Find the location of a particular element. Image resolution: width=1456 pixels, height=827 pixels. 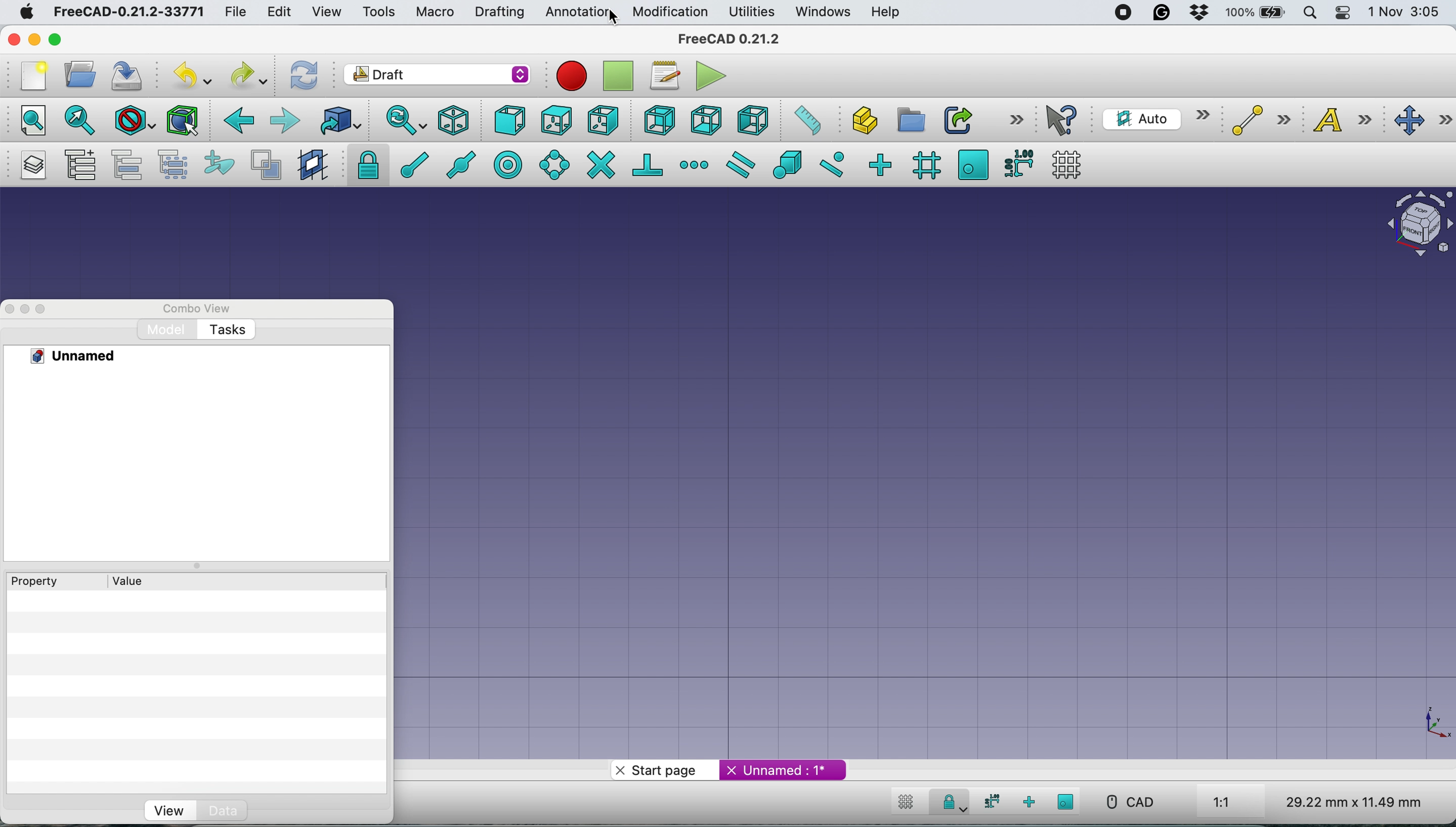

isometric is located at coordinates (454, 120).